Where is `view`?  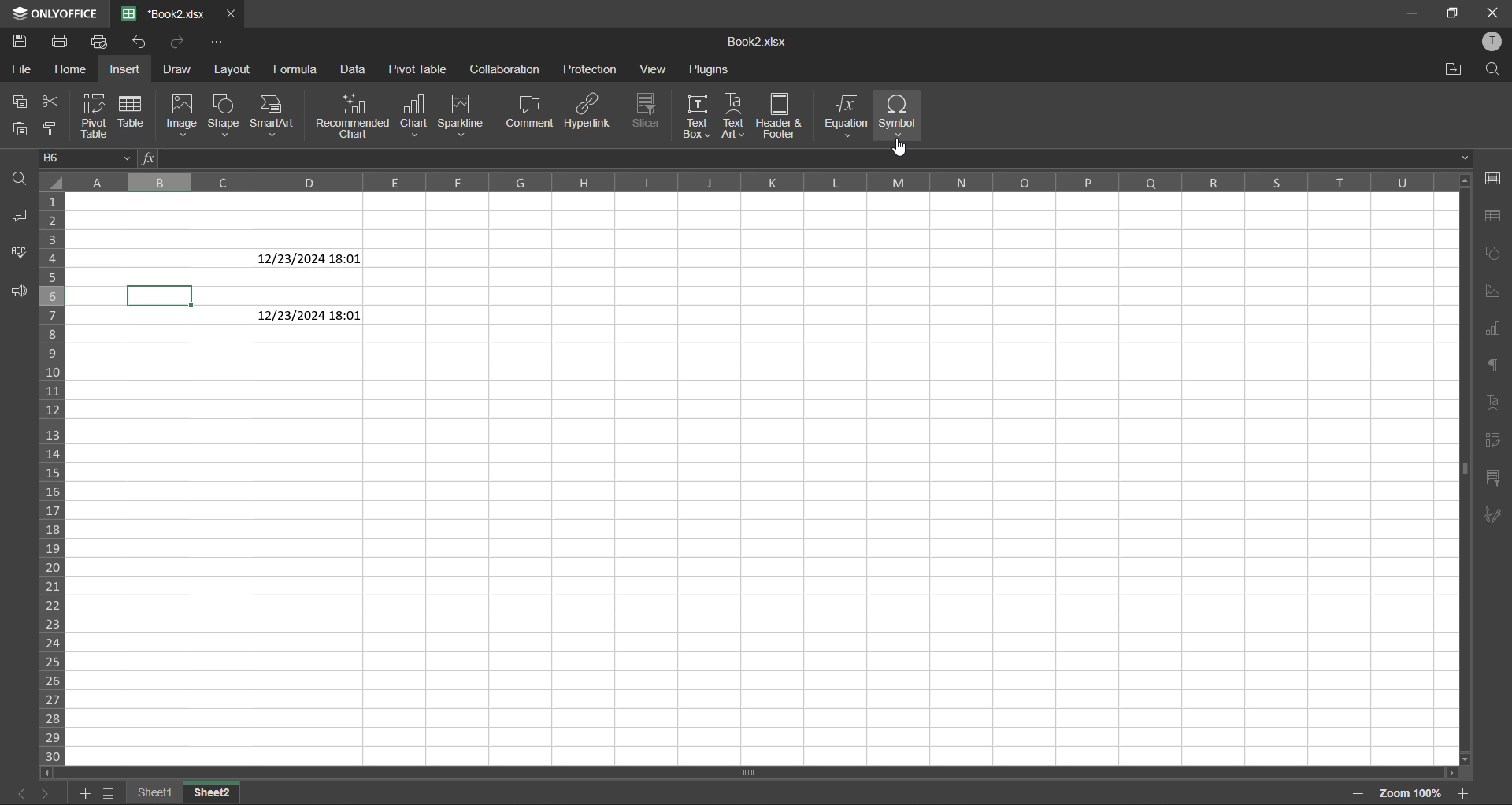 view is located at coordinates (654, 69).